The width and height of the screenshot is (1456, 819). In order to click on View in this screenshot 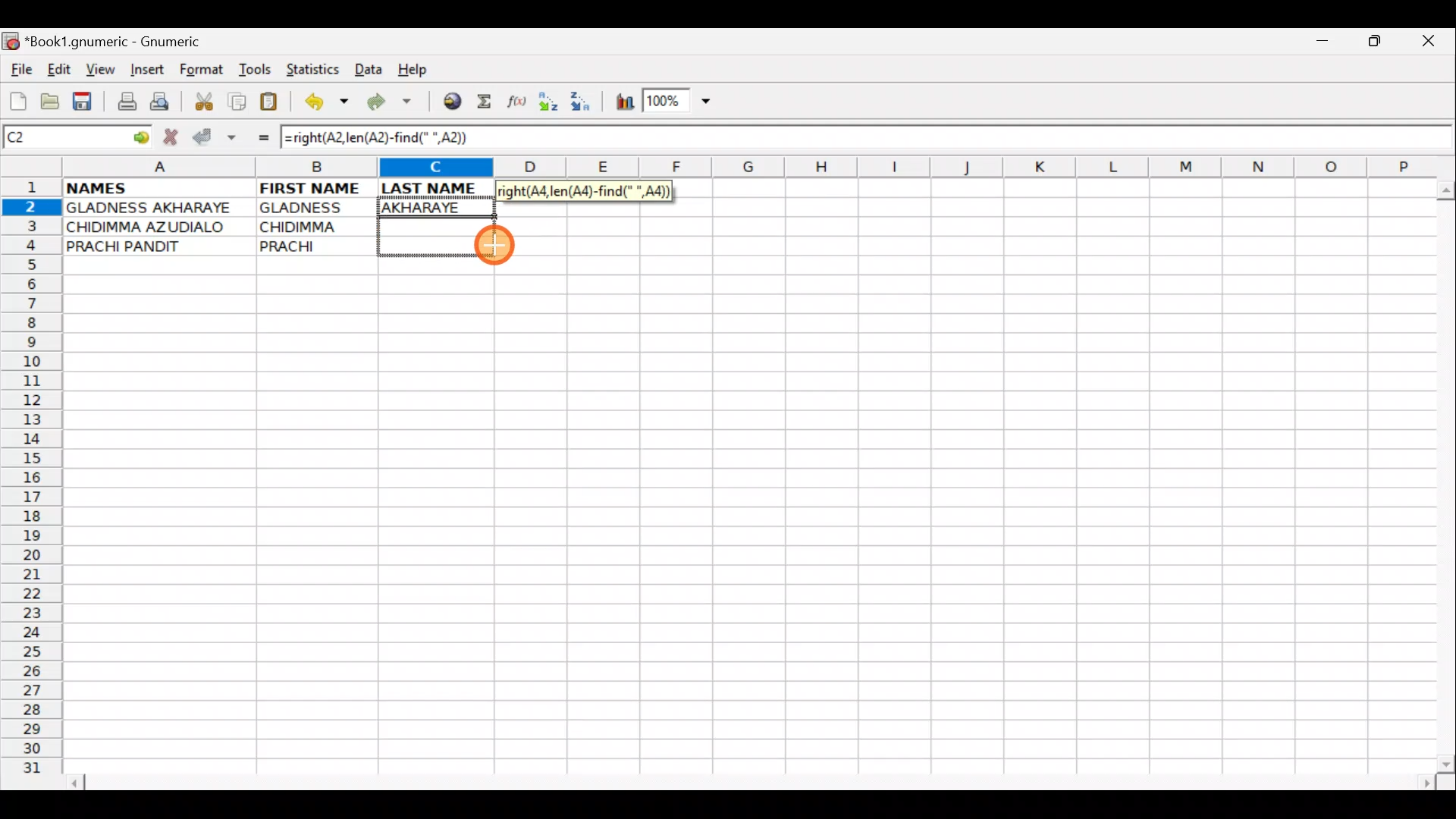, I will do `click(96, 69)`.